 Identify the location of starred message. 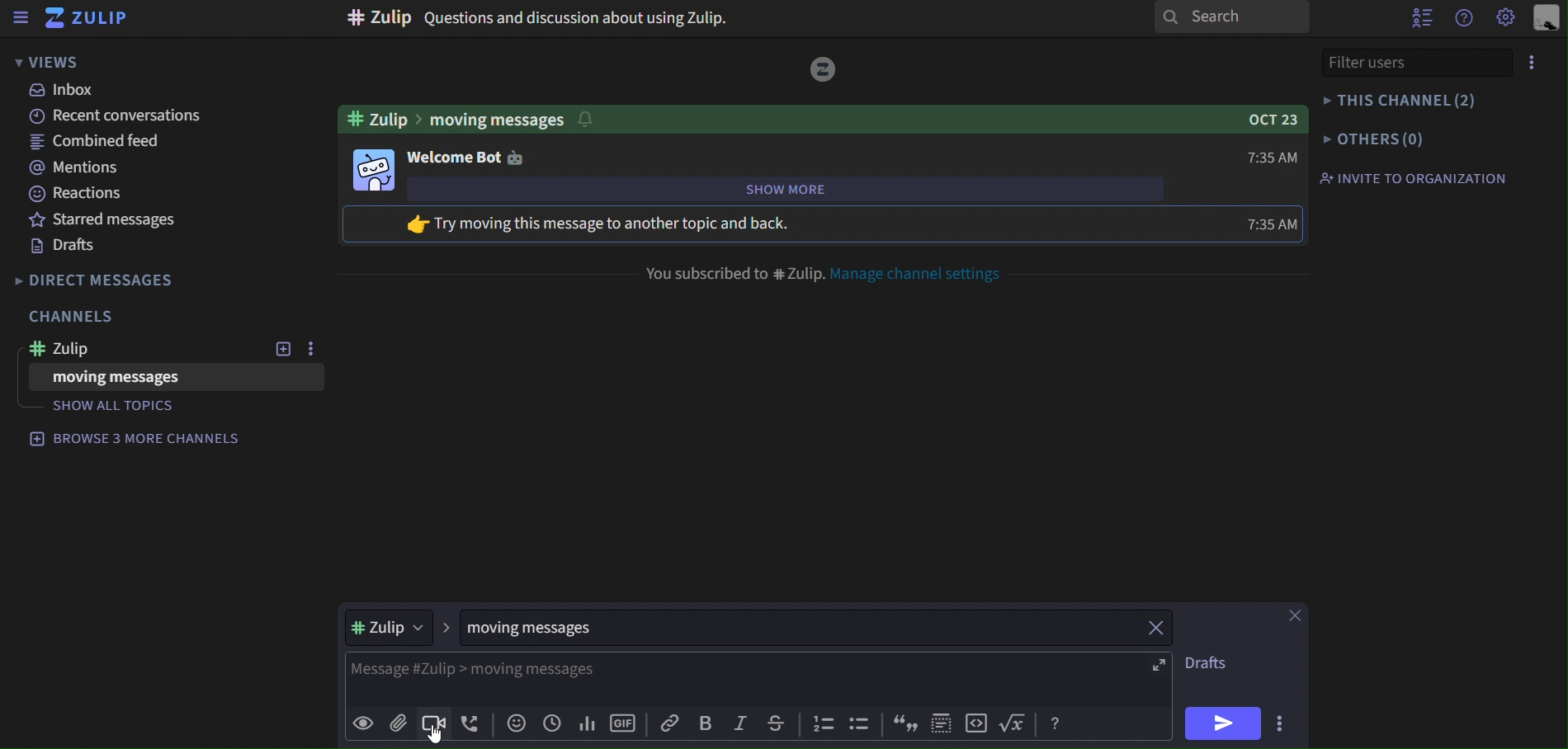
(96, 220).